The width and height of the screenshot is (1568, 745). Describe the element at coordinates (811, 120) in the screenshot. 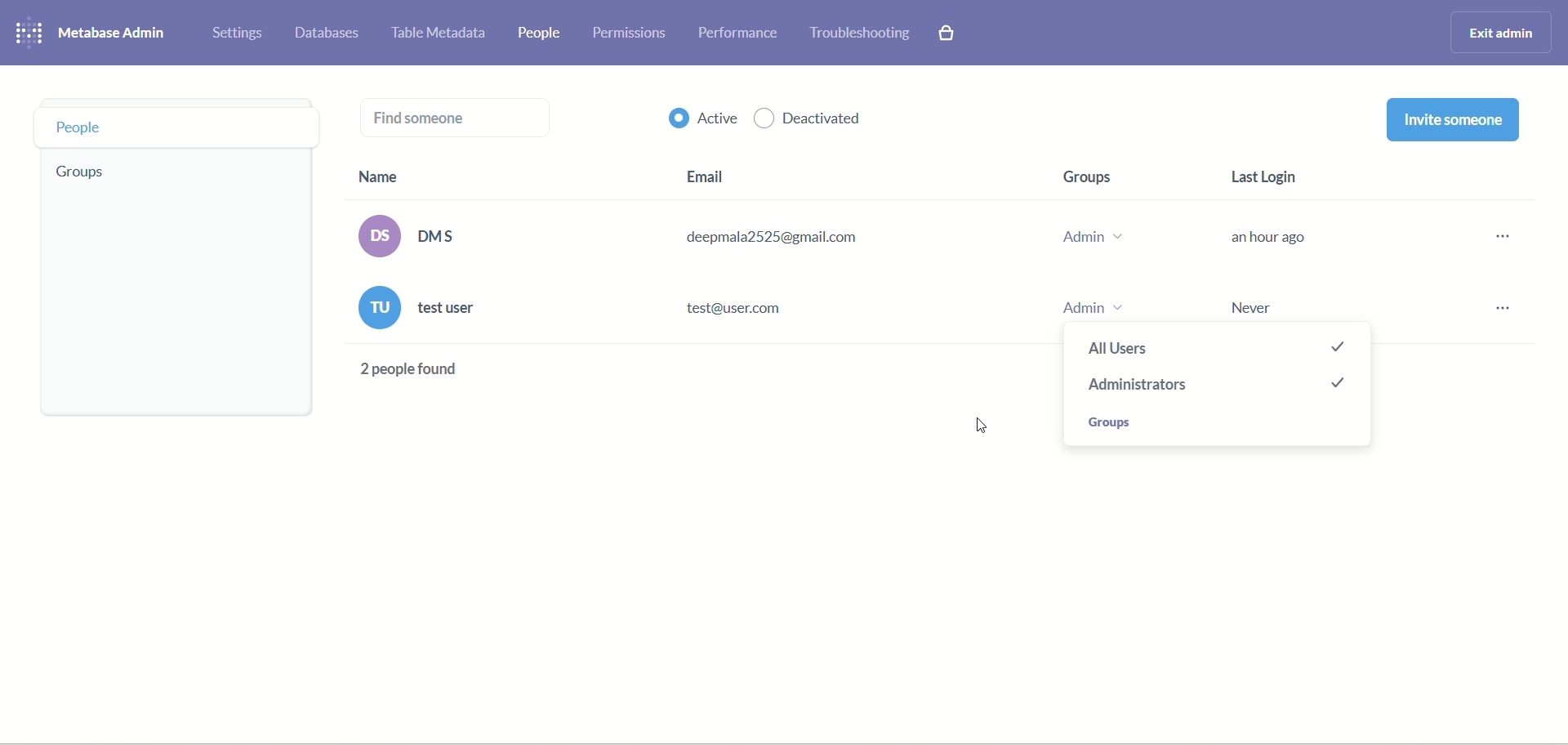

I see `deactivated` at that location.